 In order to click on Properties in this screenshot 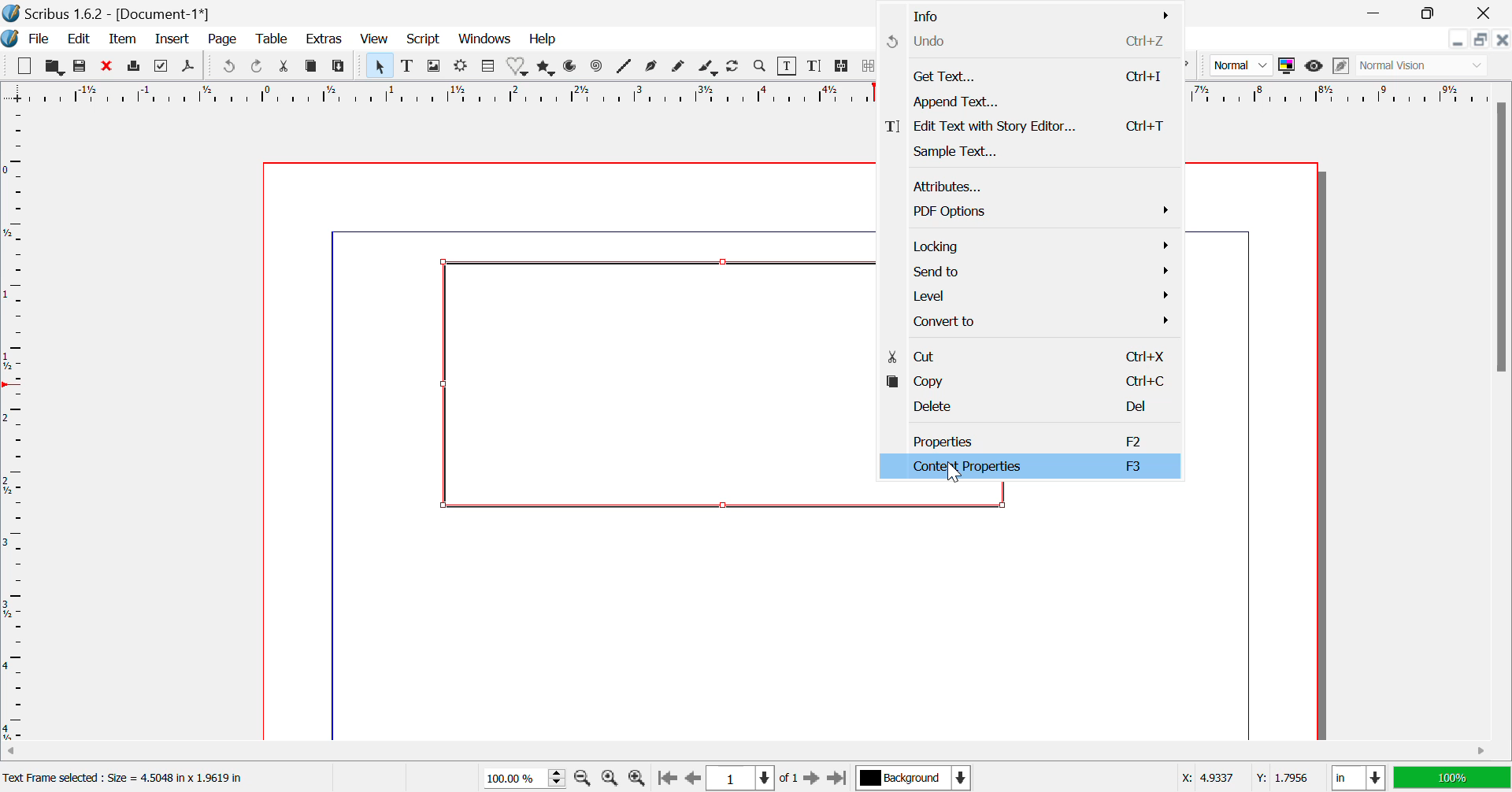, I will do `click(1033, 437)`.